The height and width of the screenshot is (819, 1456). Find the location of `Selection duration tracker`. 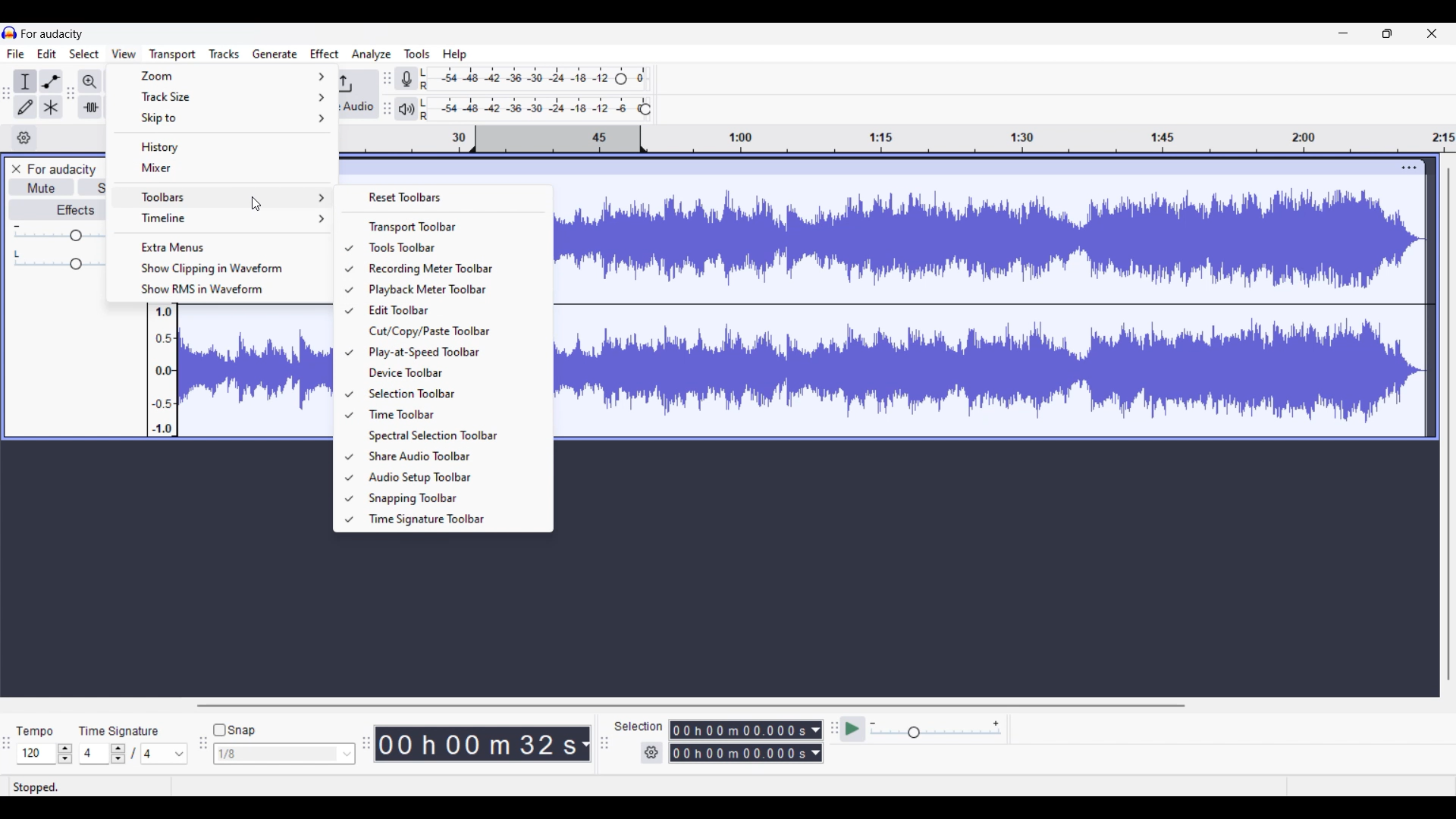

Selection duration tracker is located at coordinates (739, 753).